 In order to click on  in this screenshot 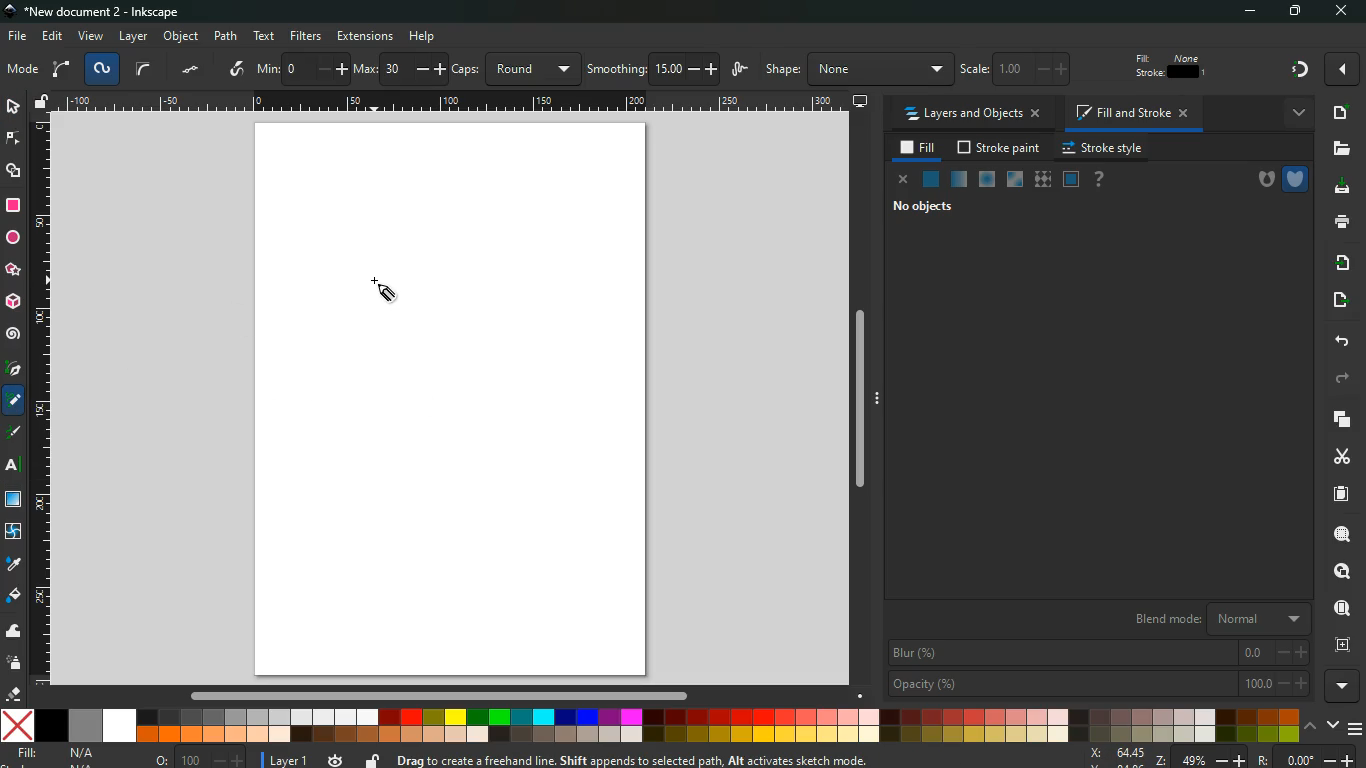, I will do `click(860, 407)`.